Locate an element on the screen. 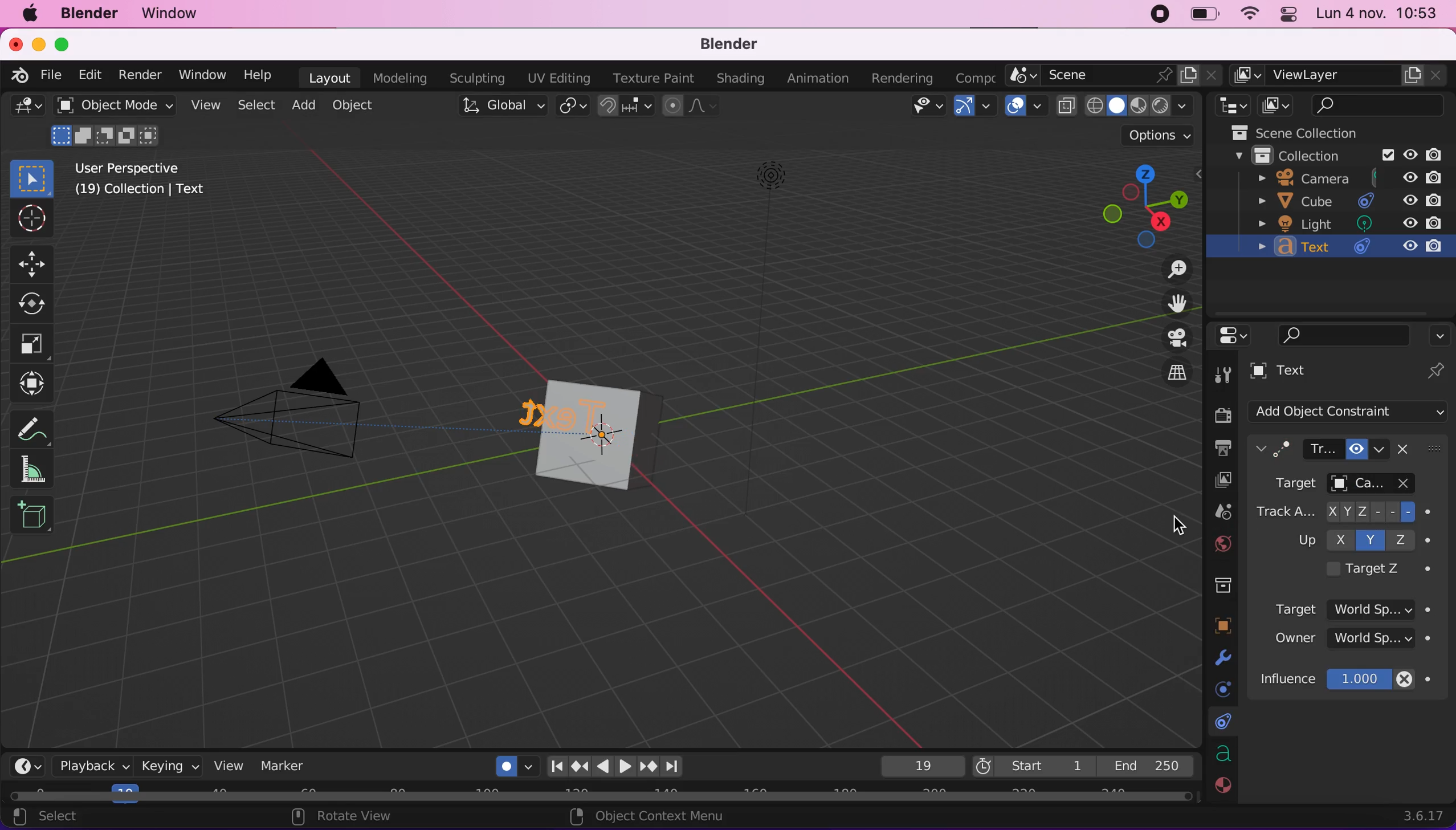  options is located at coordinates (1156, 134).